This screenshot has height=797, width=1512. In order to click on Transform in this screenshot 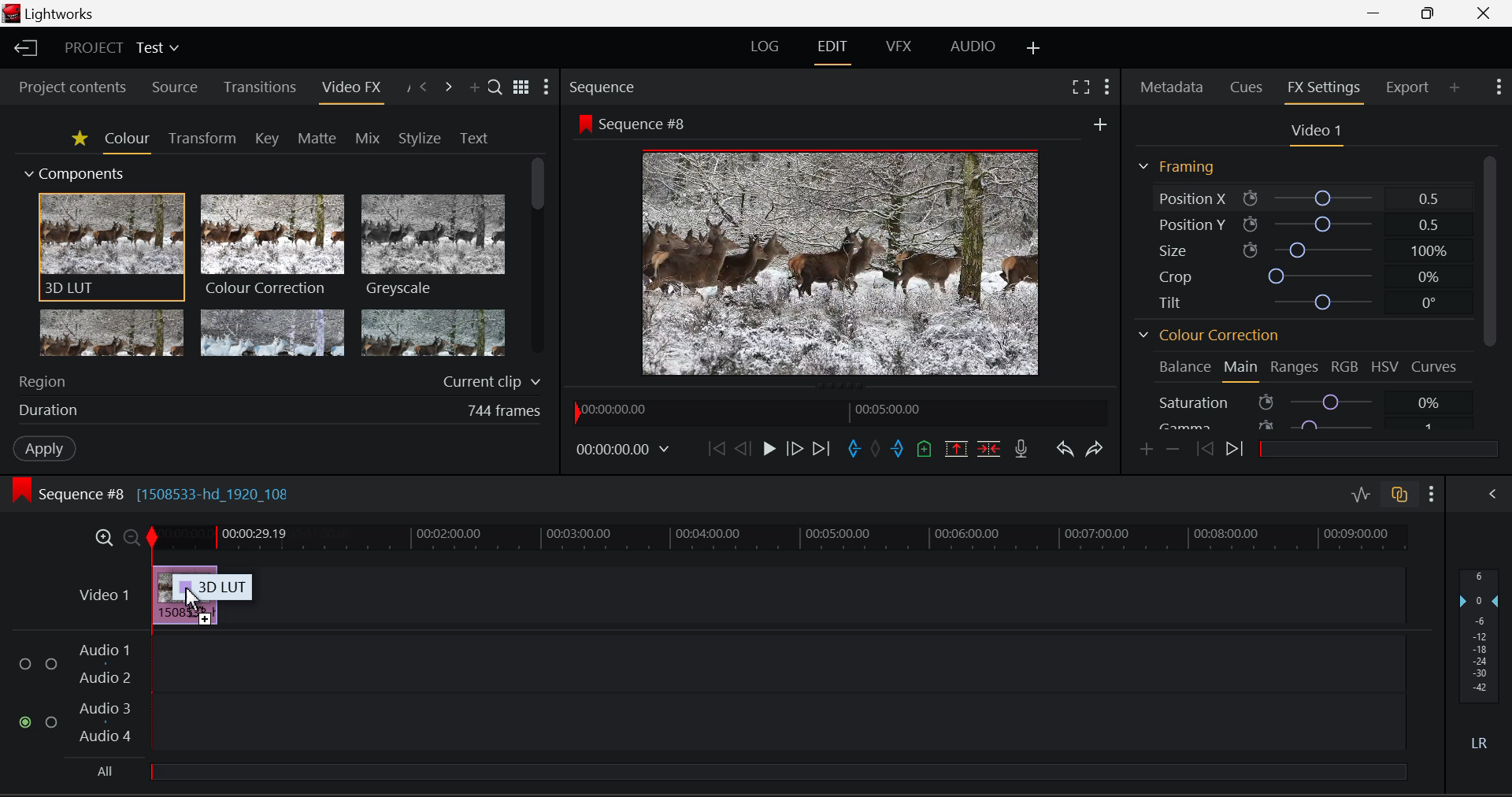, I will do `click(200, 139)`.